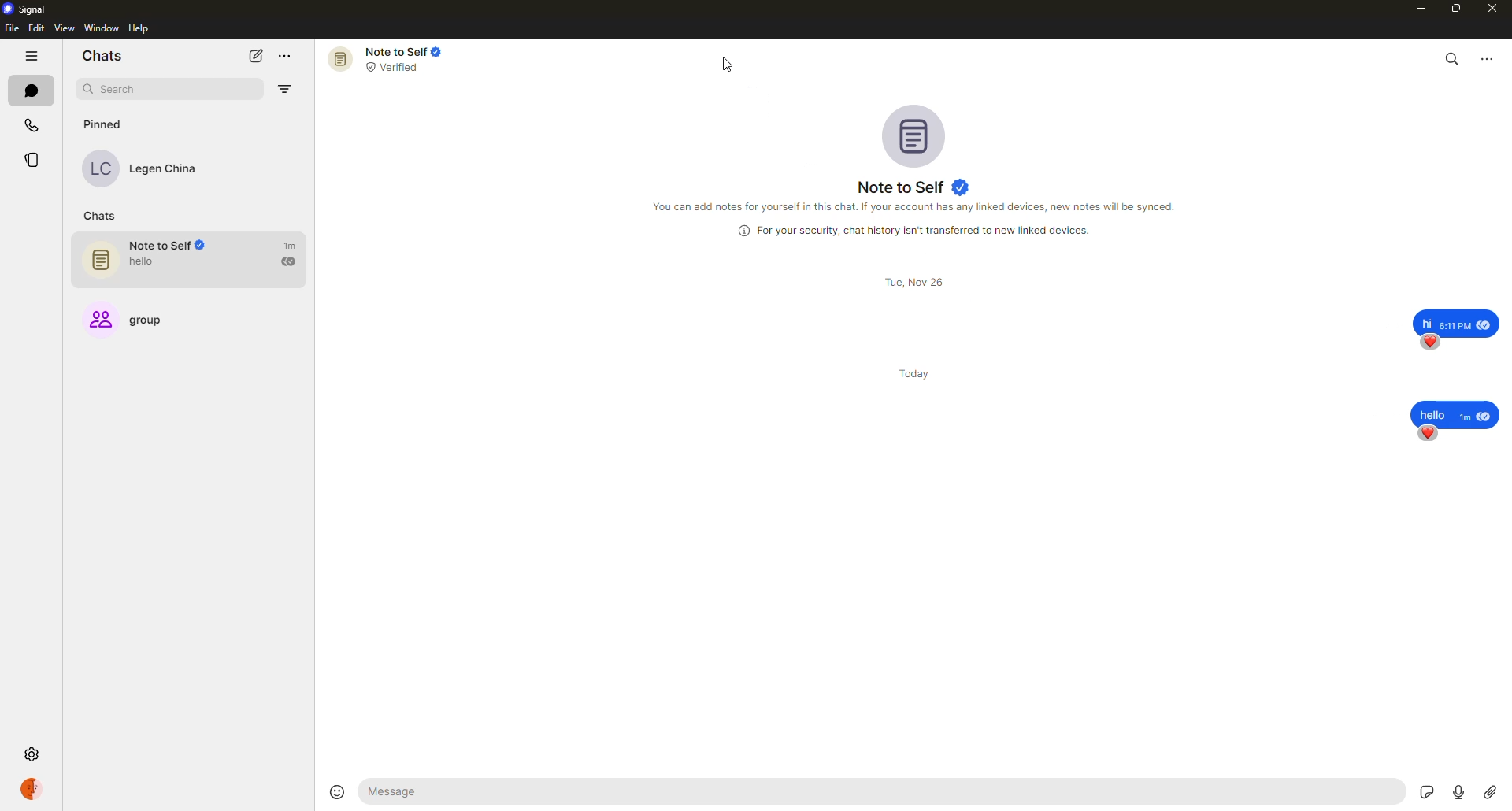 The height and width of the screenshot is (811, 1512). I want to click on edit, so click(36, 28).